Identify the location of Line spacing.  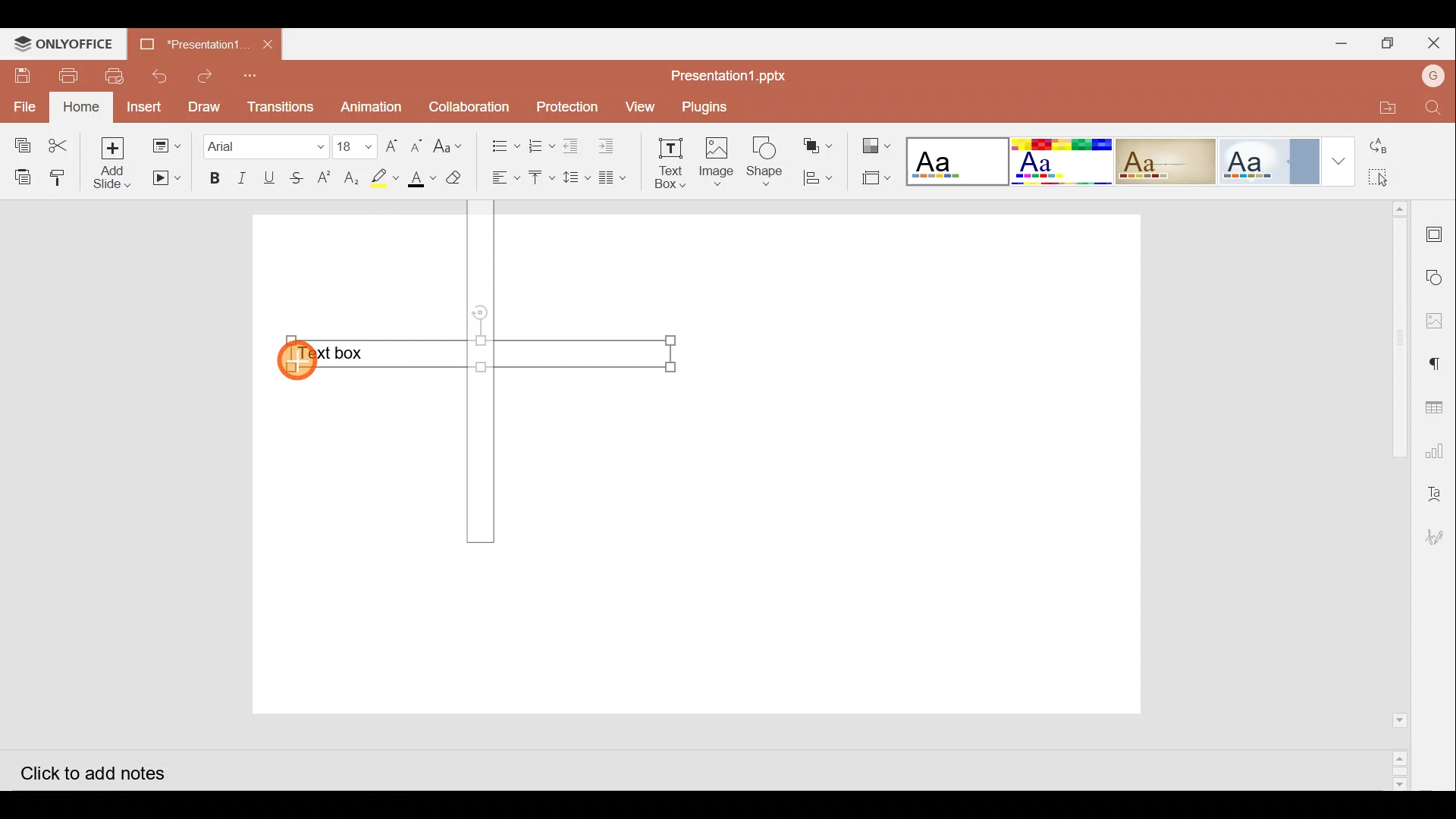
(578, 178).